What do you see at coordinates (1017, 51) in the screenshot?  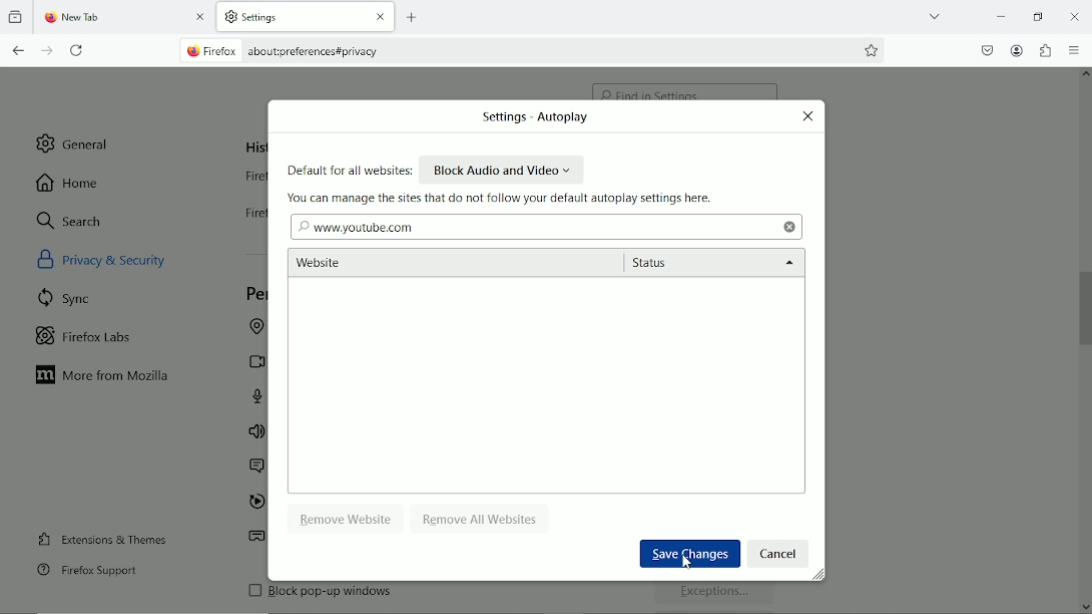 I see `account` at bounding box center [1017, 51].